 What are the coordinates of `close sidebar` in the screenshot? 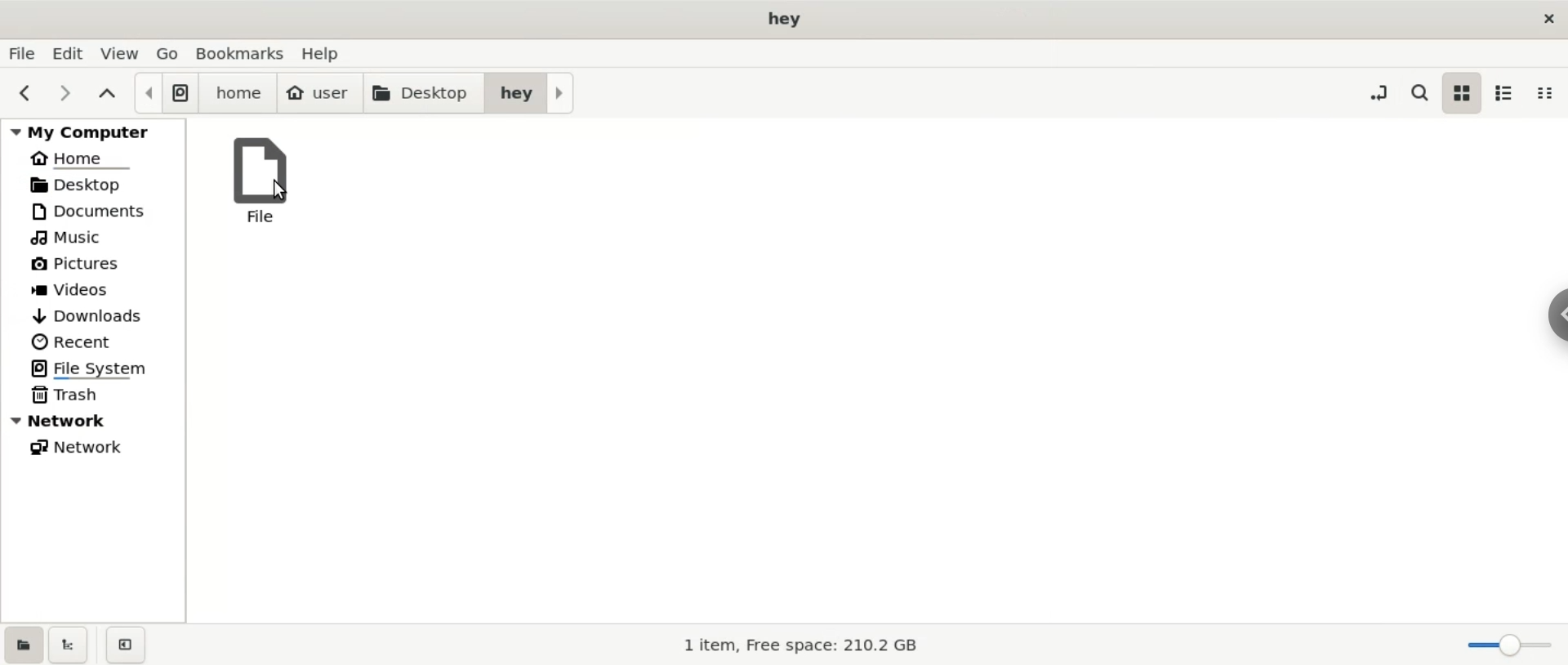 It's located at (126, 645).